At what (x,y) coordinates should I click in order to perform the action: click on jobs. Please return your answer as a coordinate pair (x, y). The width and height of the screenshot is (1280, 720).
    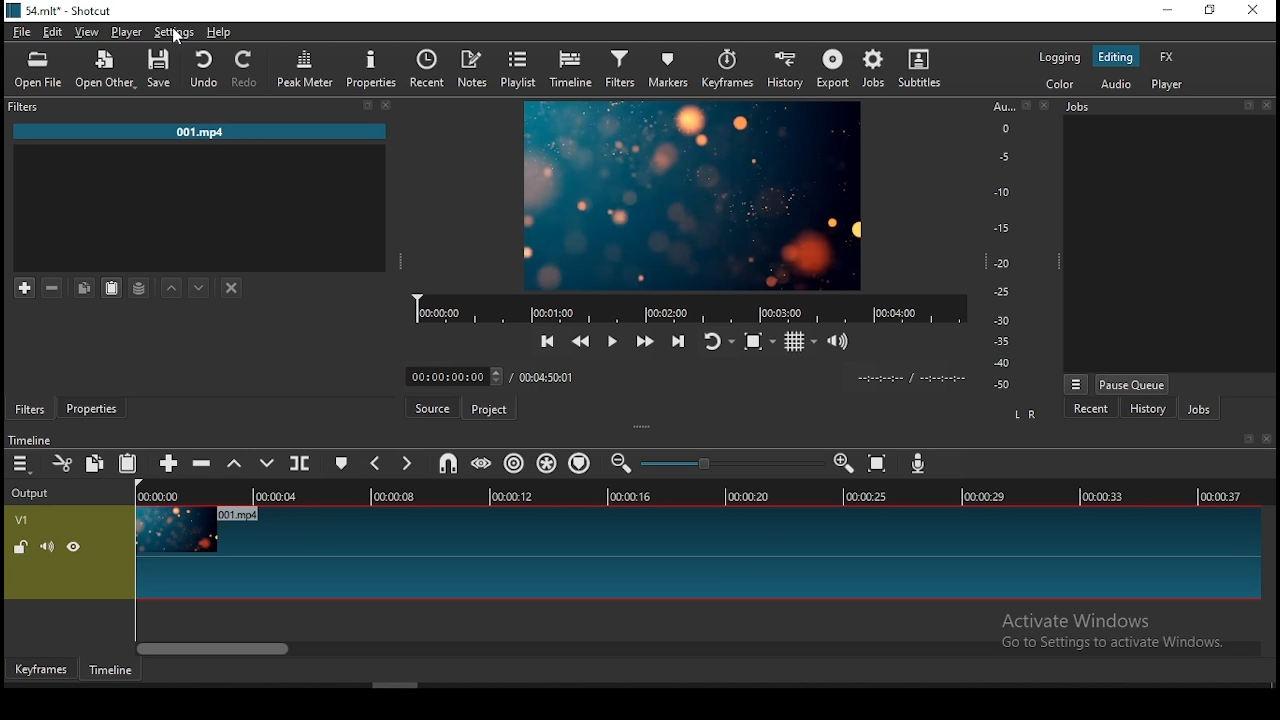
    Looking at the image, I should click on (1080, 106).